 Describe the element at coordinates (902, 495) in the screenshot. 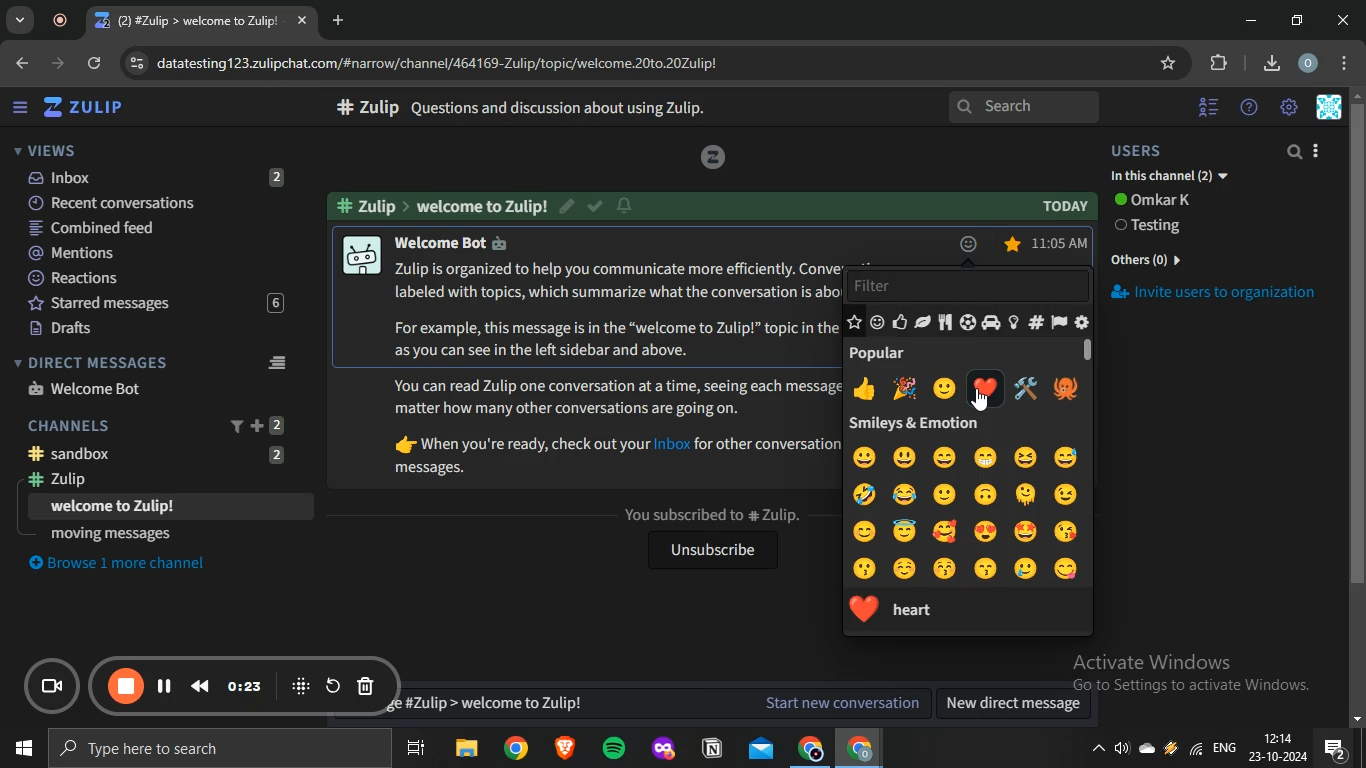

I see `joy` at that location.